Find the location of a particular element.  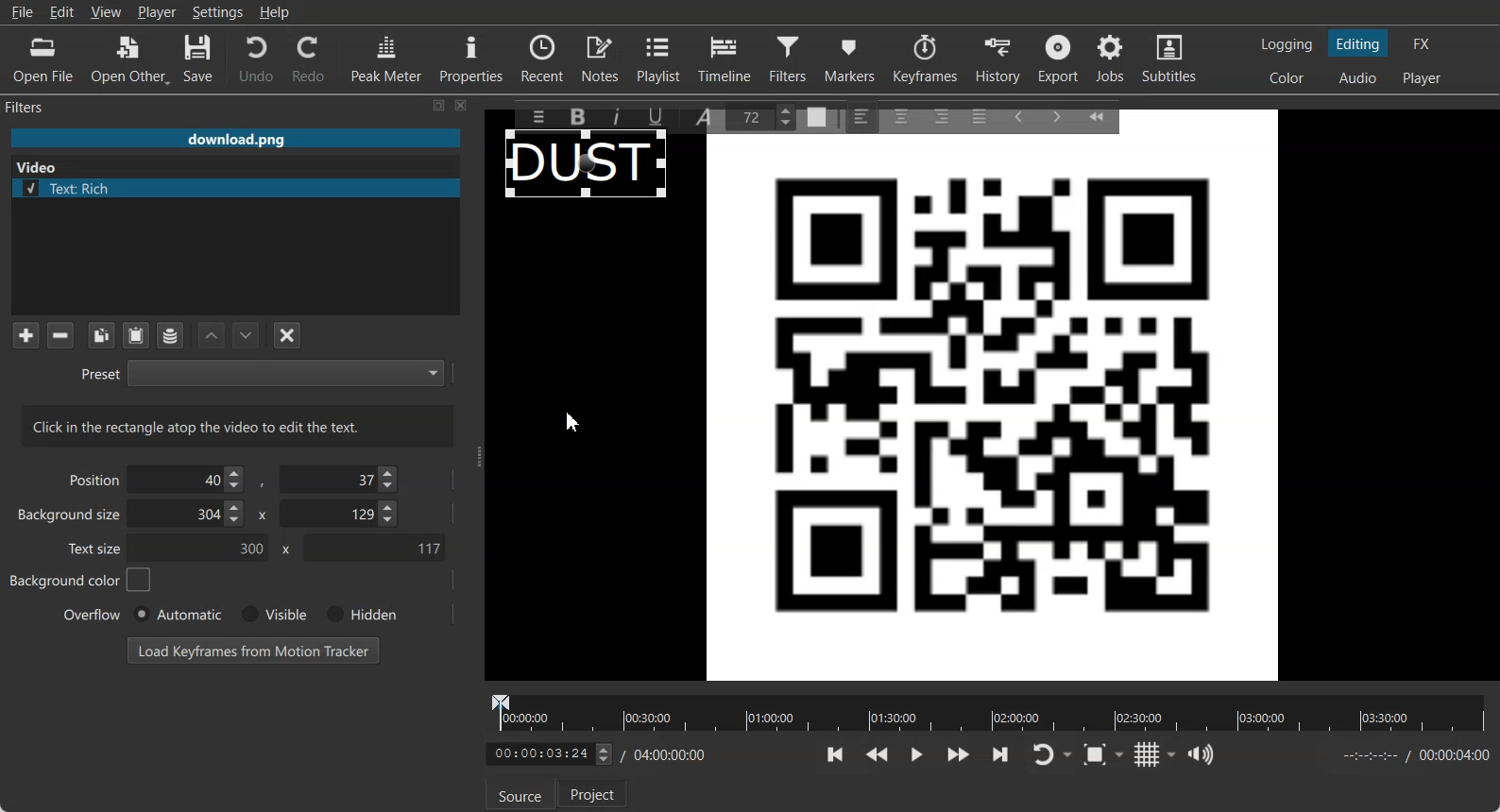

Text is located at coordinates (238, 426).